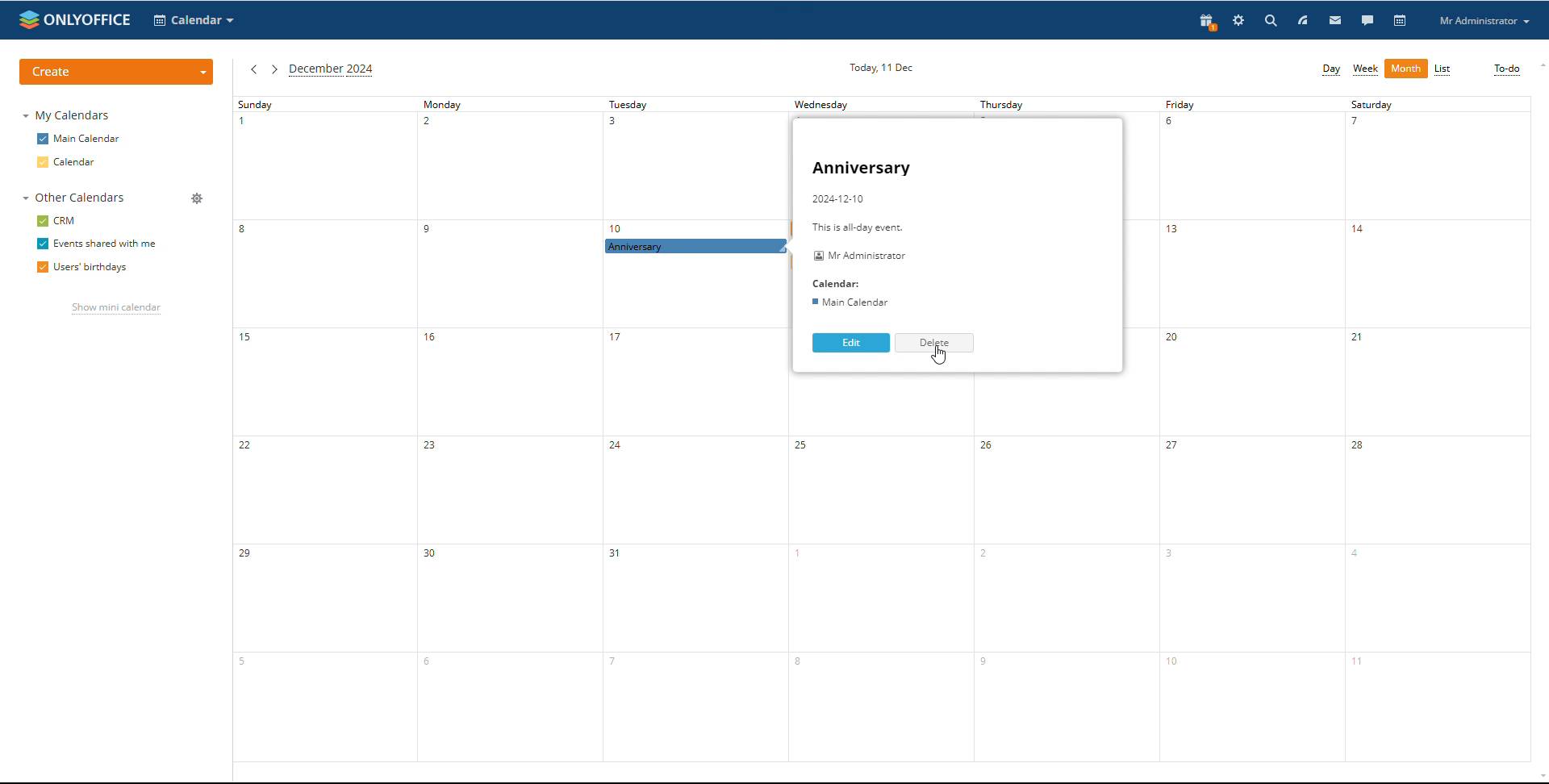 This screenshot has width=1549, height=784. I want to click on month, so click(1405, 69).